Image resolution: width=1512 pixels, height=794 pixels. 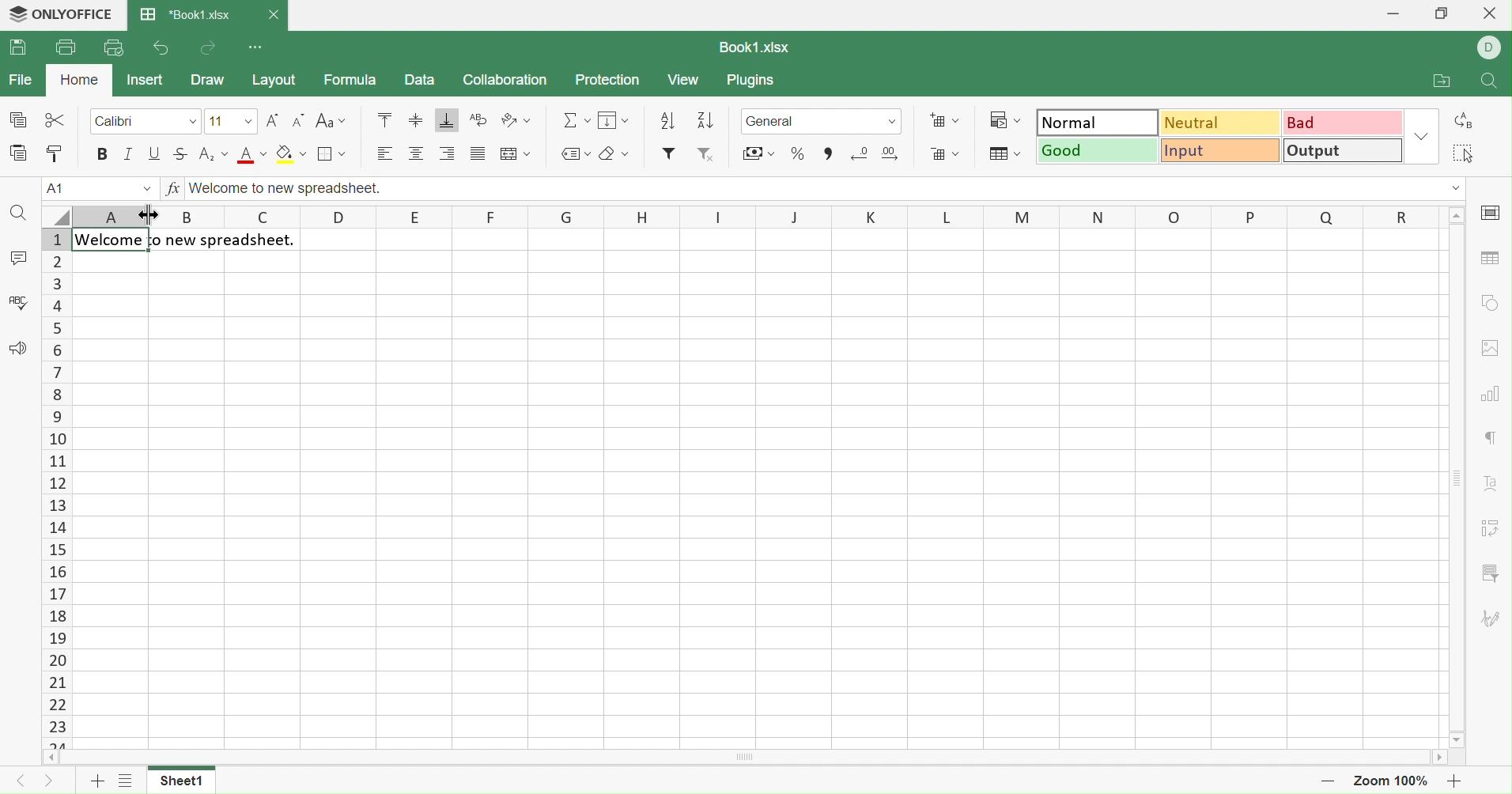 What do you see at coordinates (57, 489) in the screenshot?
I see `Row Numbers` at bounding box center [57, 489].